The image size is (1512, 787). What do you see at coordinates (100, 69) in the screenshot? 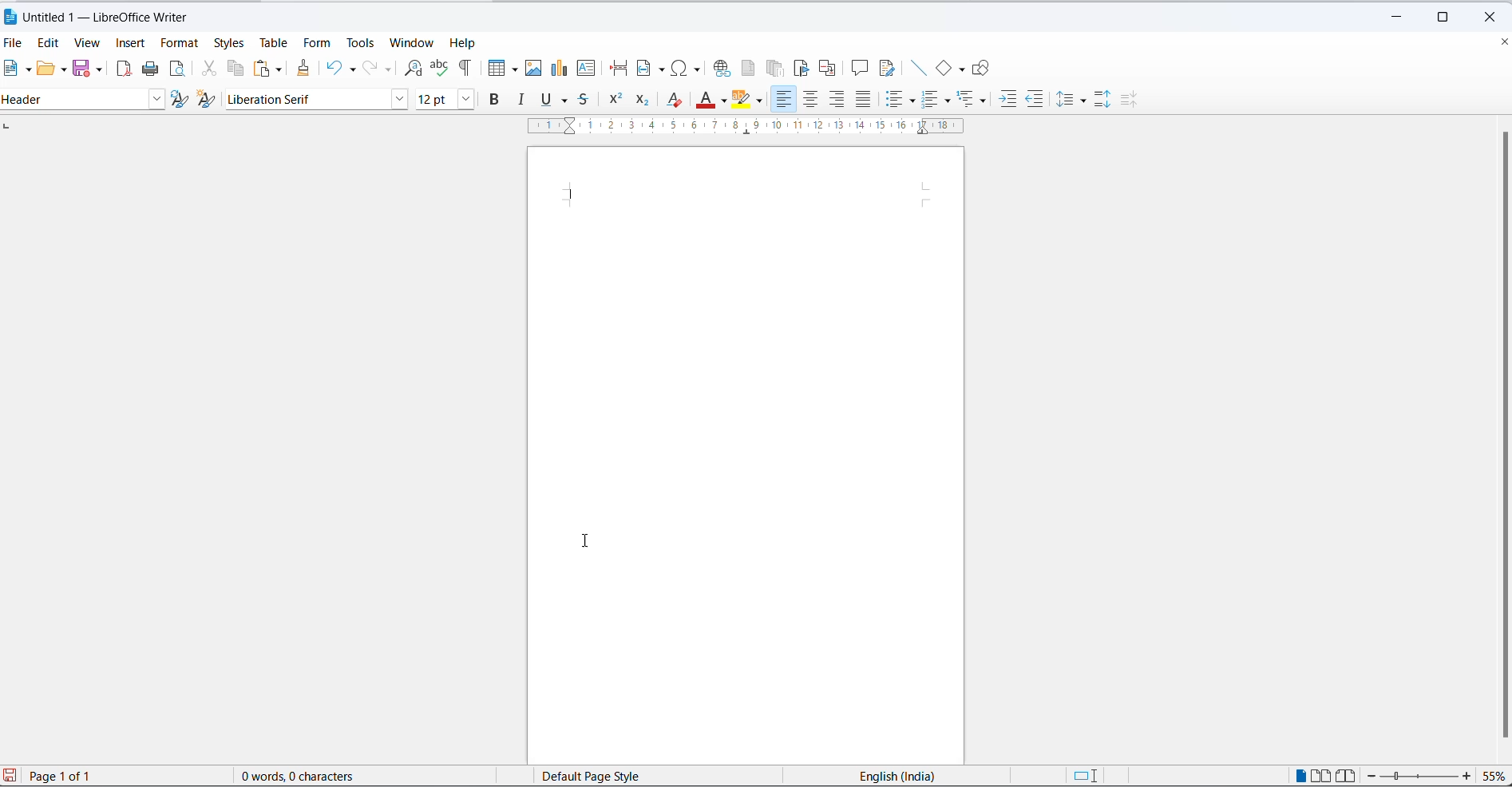
I see `save options` at bounding box center [100, 69].